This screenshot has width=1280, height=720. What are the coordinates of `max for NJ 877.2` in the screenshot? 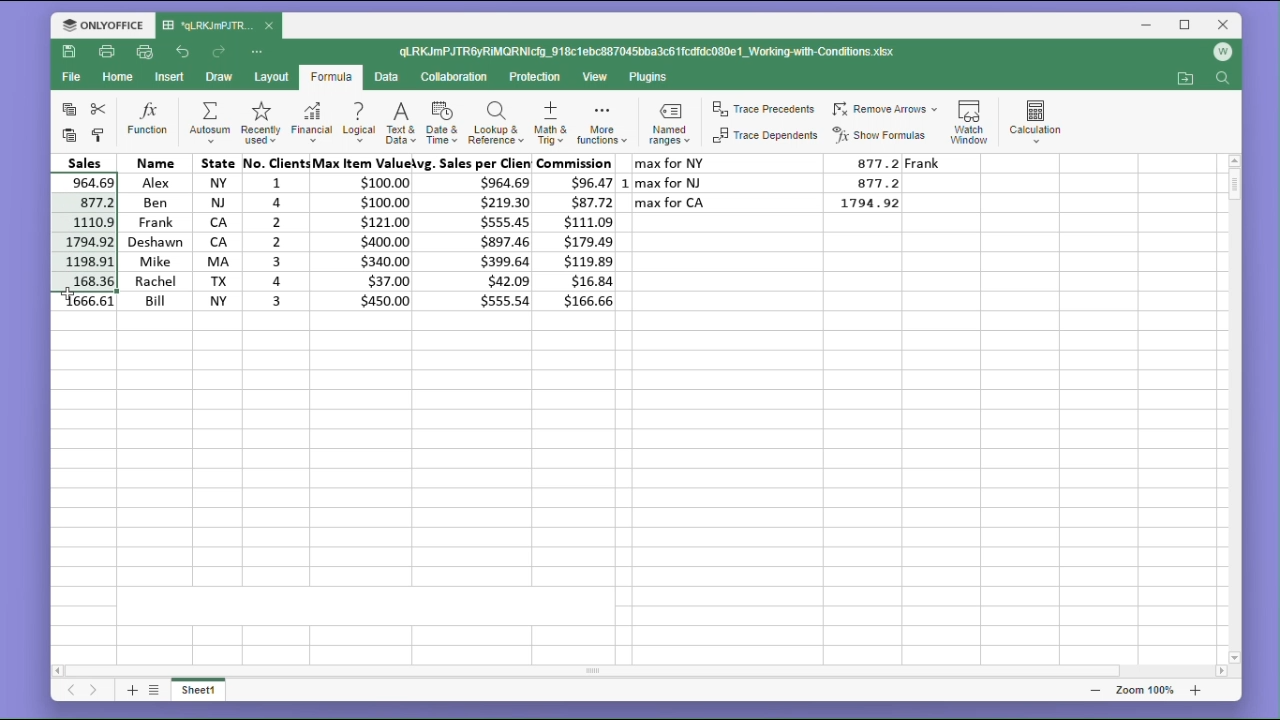 It's located at (774, 182).